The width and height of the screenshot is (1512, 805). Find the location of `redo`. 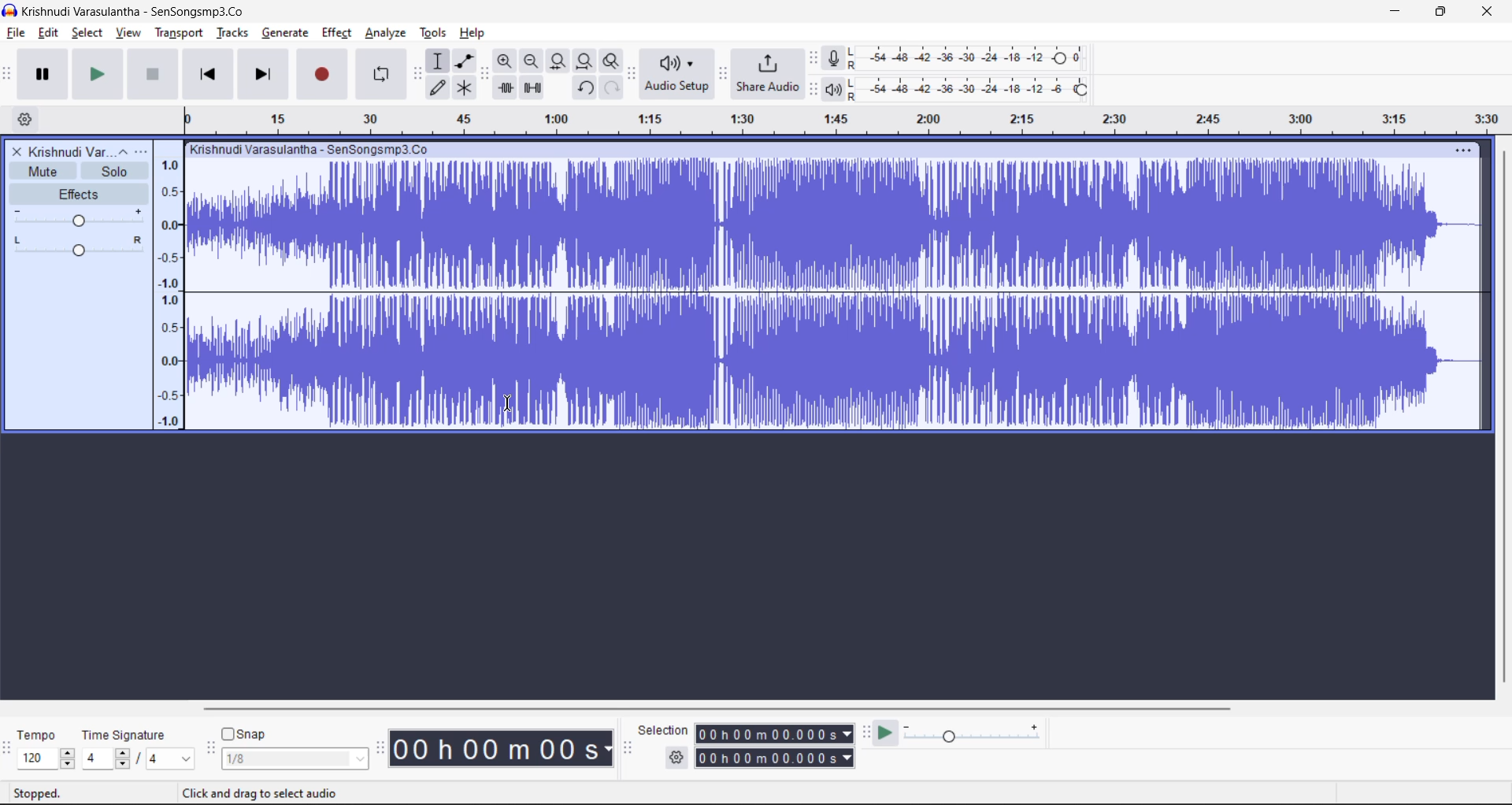

redo is located at coordinates (611, 87).